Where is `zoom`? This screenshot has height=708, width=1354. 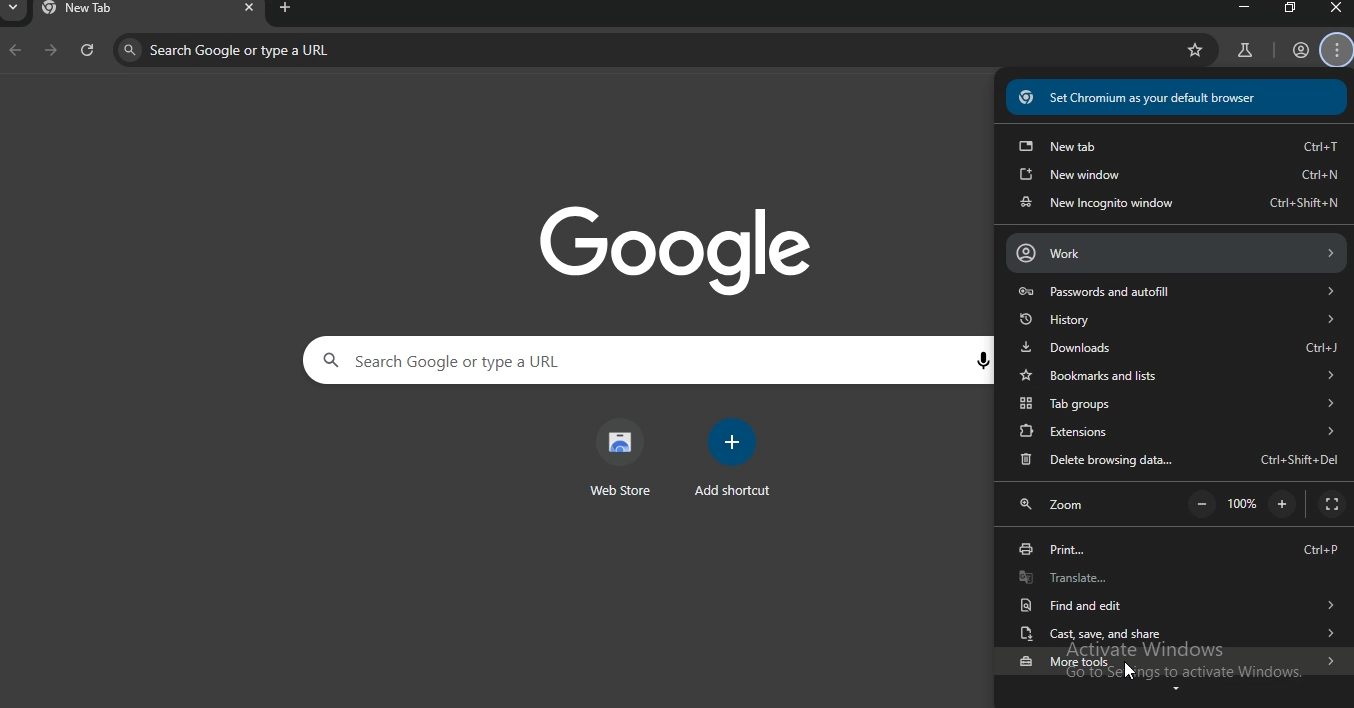
zoom is located at coordinates (1052, 506).